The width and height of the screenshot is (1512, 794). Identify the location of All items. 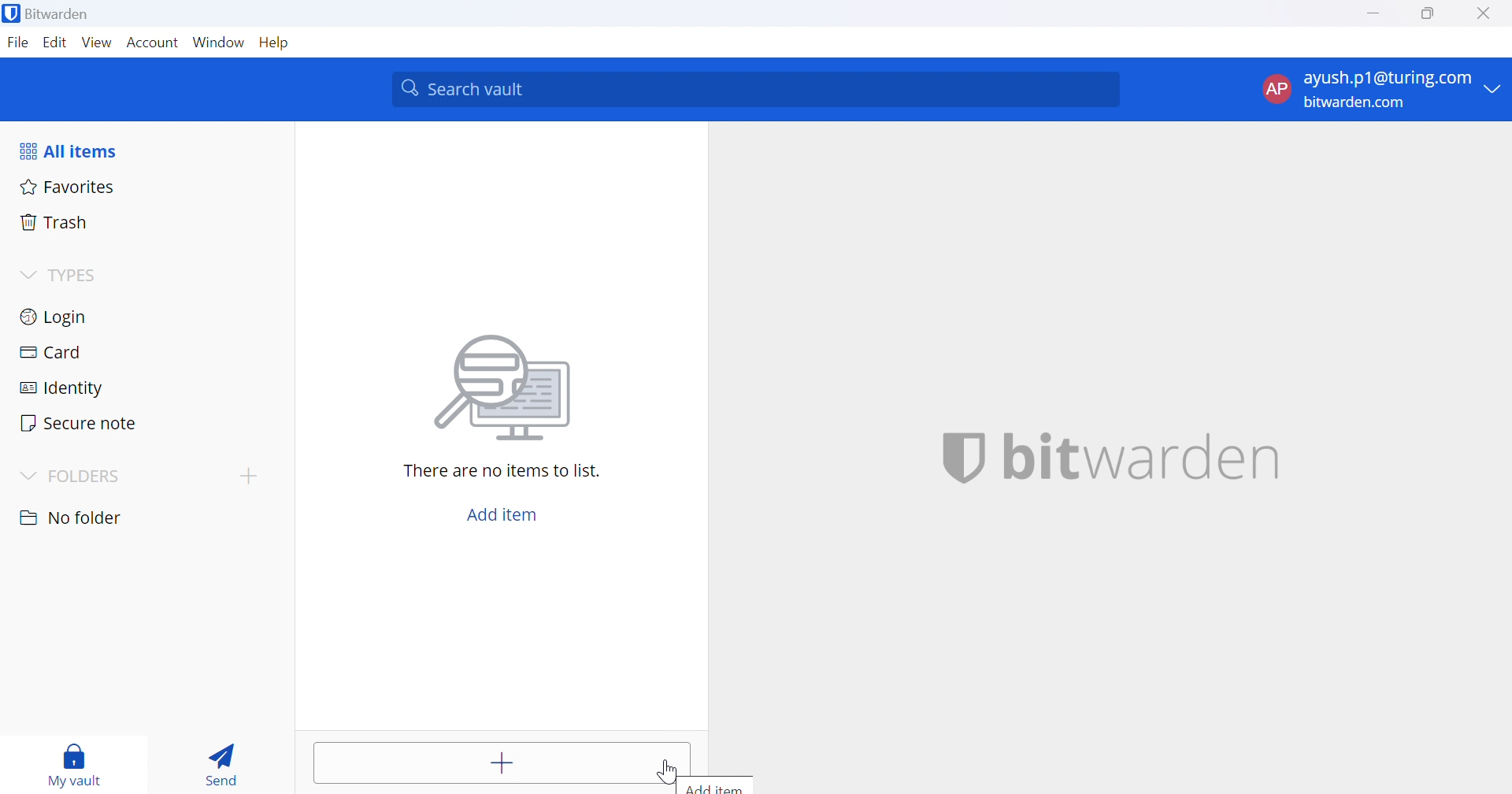
(72, 149).